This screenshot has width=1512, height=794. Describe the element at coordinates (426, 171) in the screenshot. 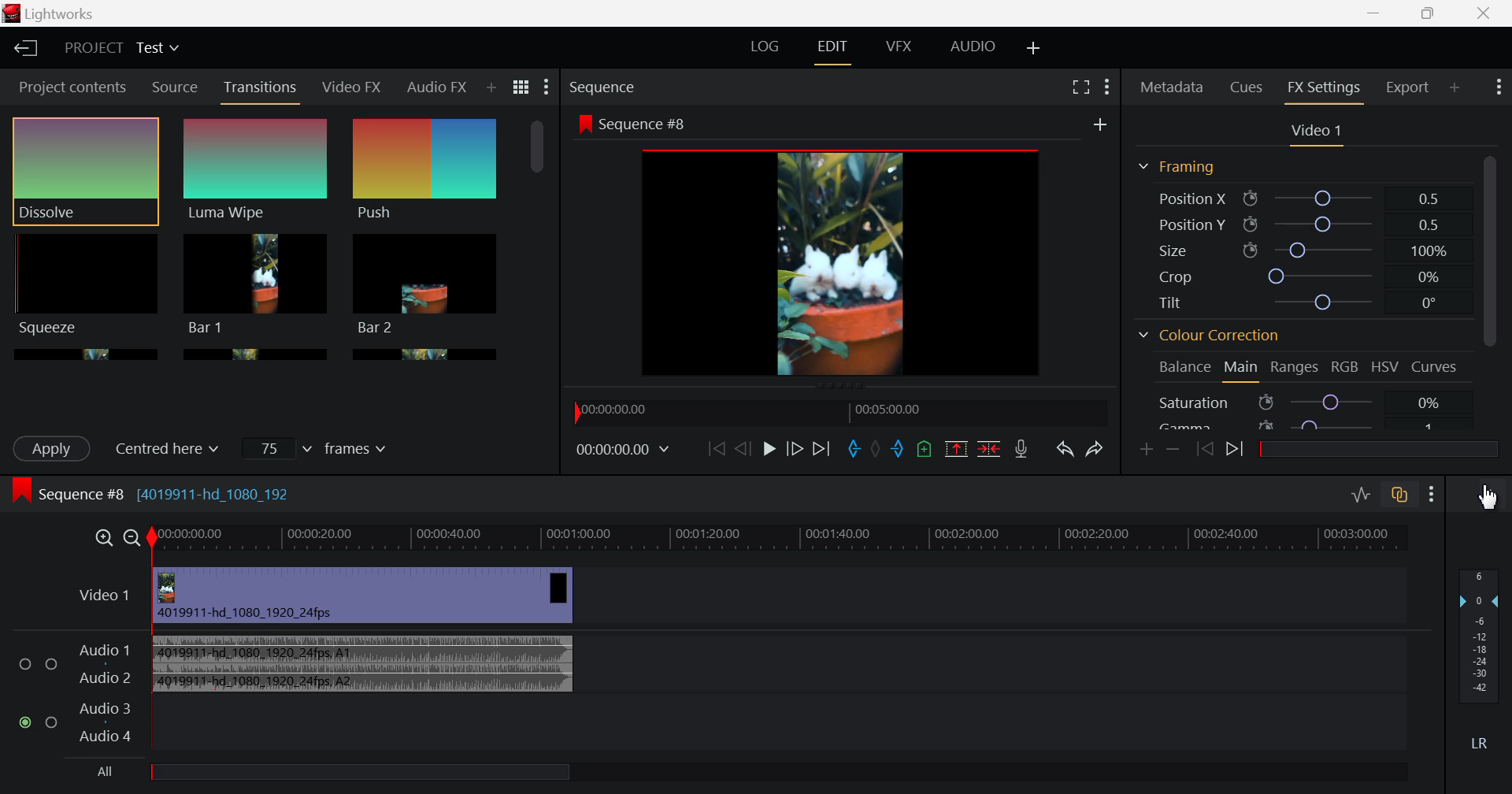

I see `Push` at that location.